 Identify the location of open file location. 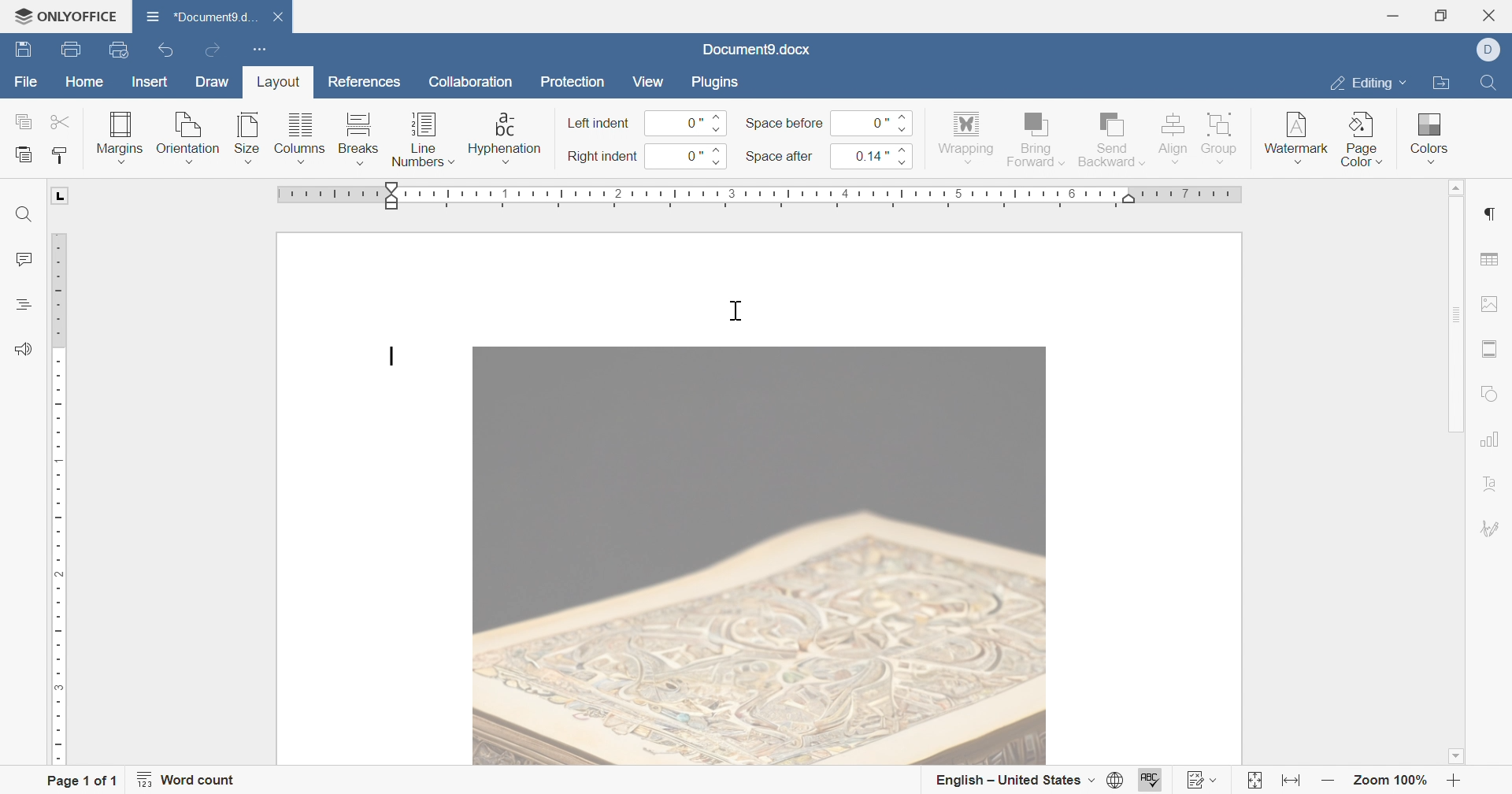
(1440, 84).